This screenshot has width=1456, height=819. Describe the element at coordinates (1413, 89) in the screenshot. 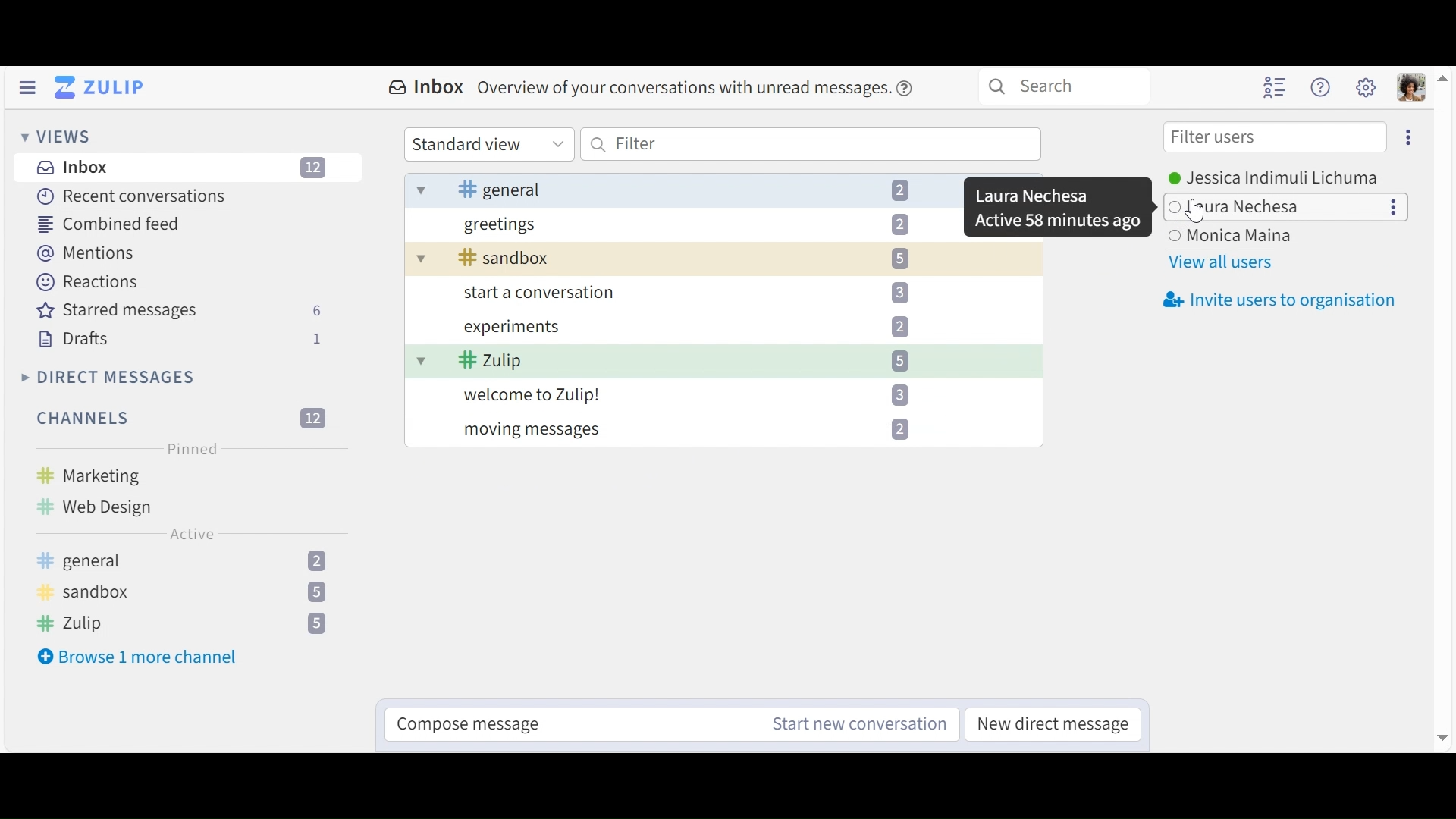

I see `Personal menu` at that location.